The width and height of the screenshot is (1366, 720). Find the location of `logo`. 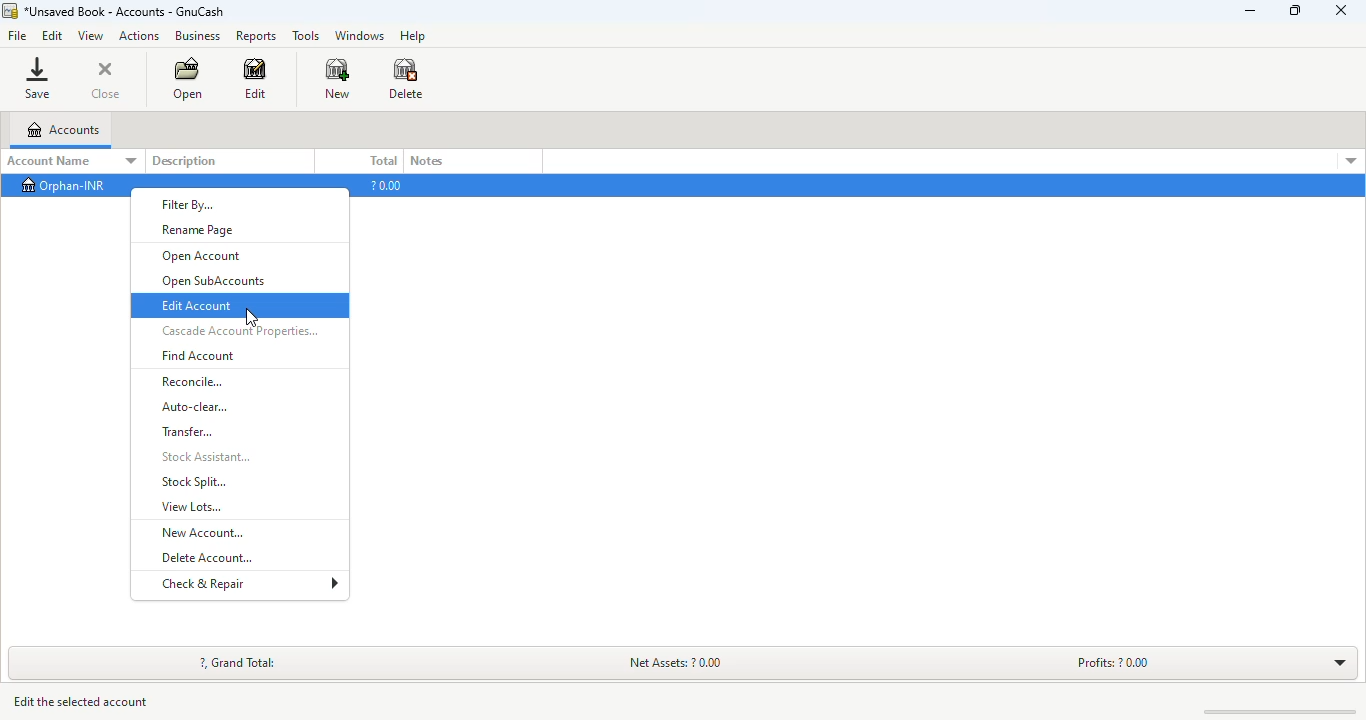

logo is located at coordinates (9, 11).